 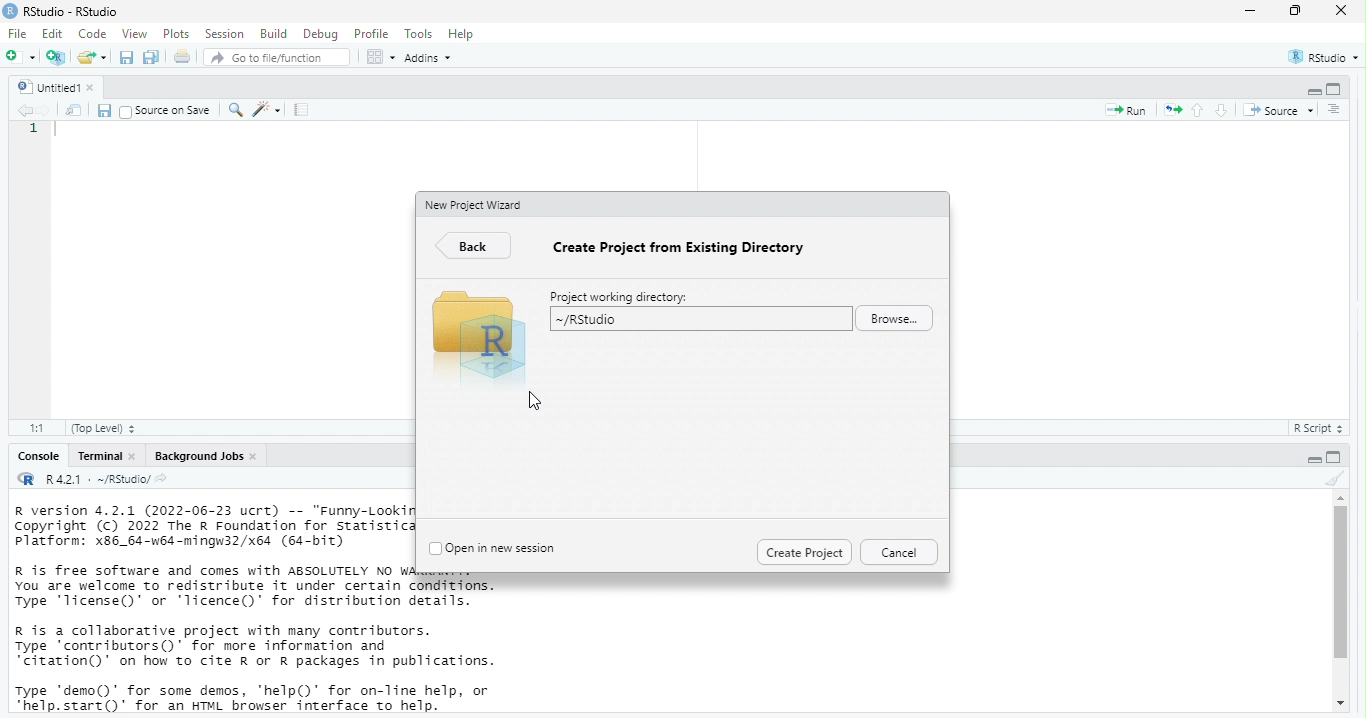 What do you see at coordinates (472, 248) in the screenshot?
I see `back` at bounding box center [472, 248].